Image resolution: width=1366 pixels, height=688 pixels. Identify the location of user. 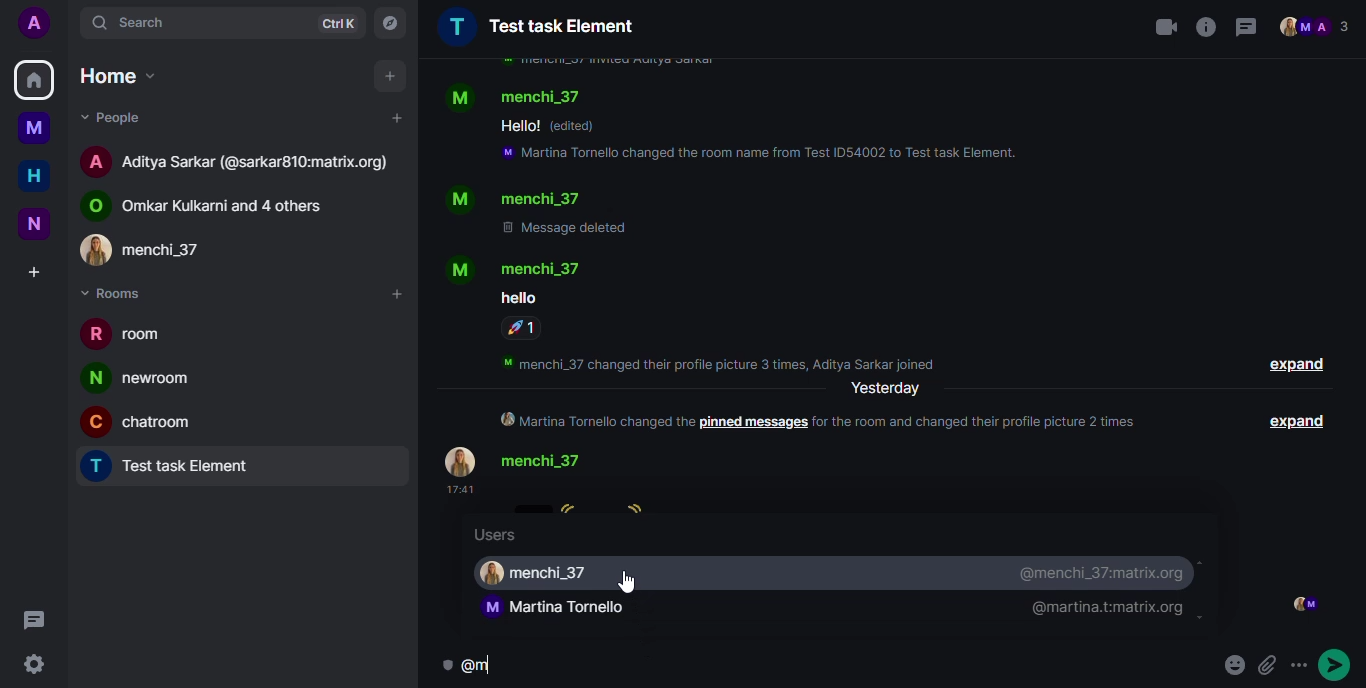
(558, 609).